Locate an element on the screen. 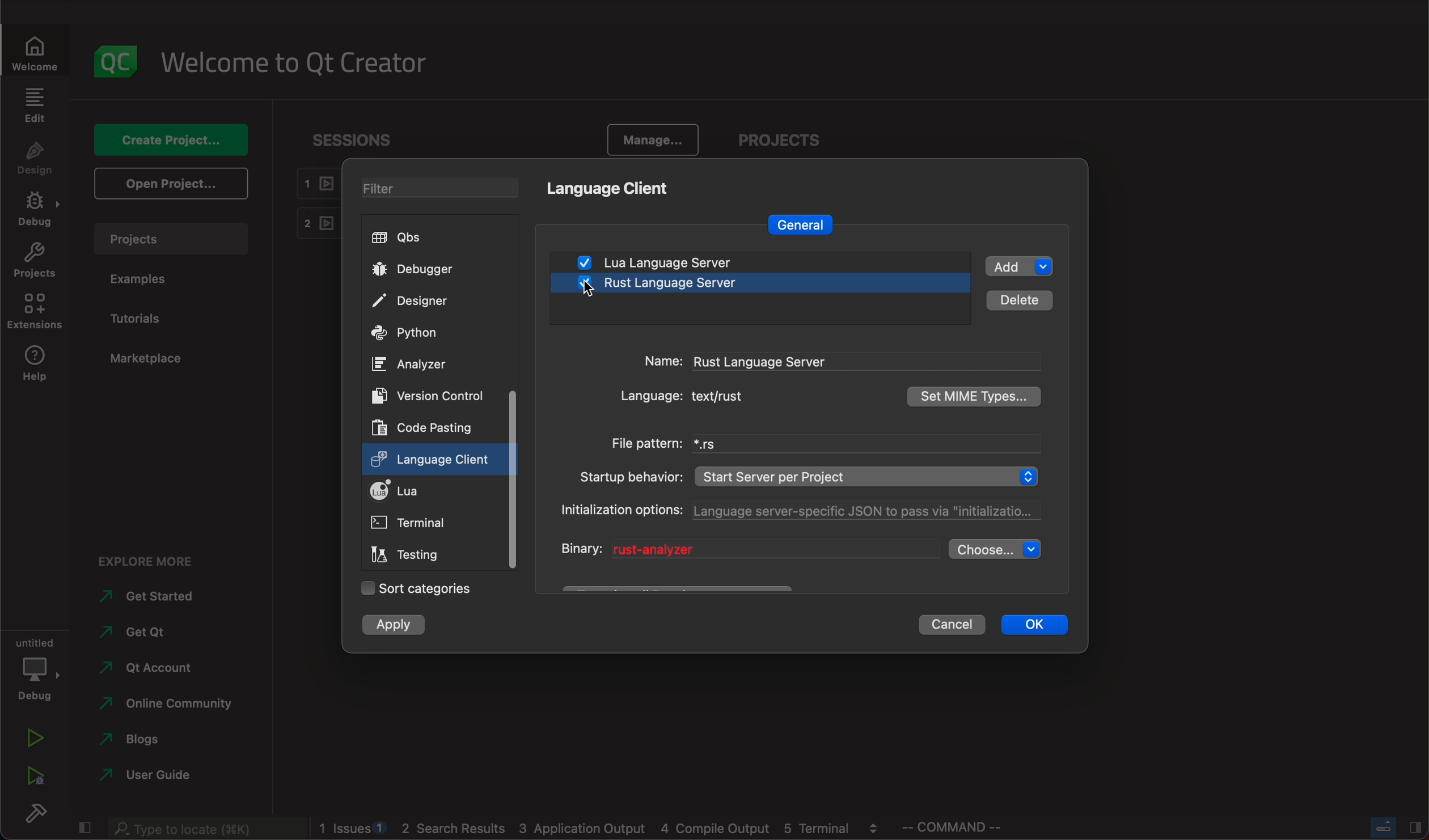 The width and height of the screenshot is (1429, 840). clicked is located at coordinates (434, 460).